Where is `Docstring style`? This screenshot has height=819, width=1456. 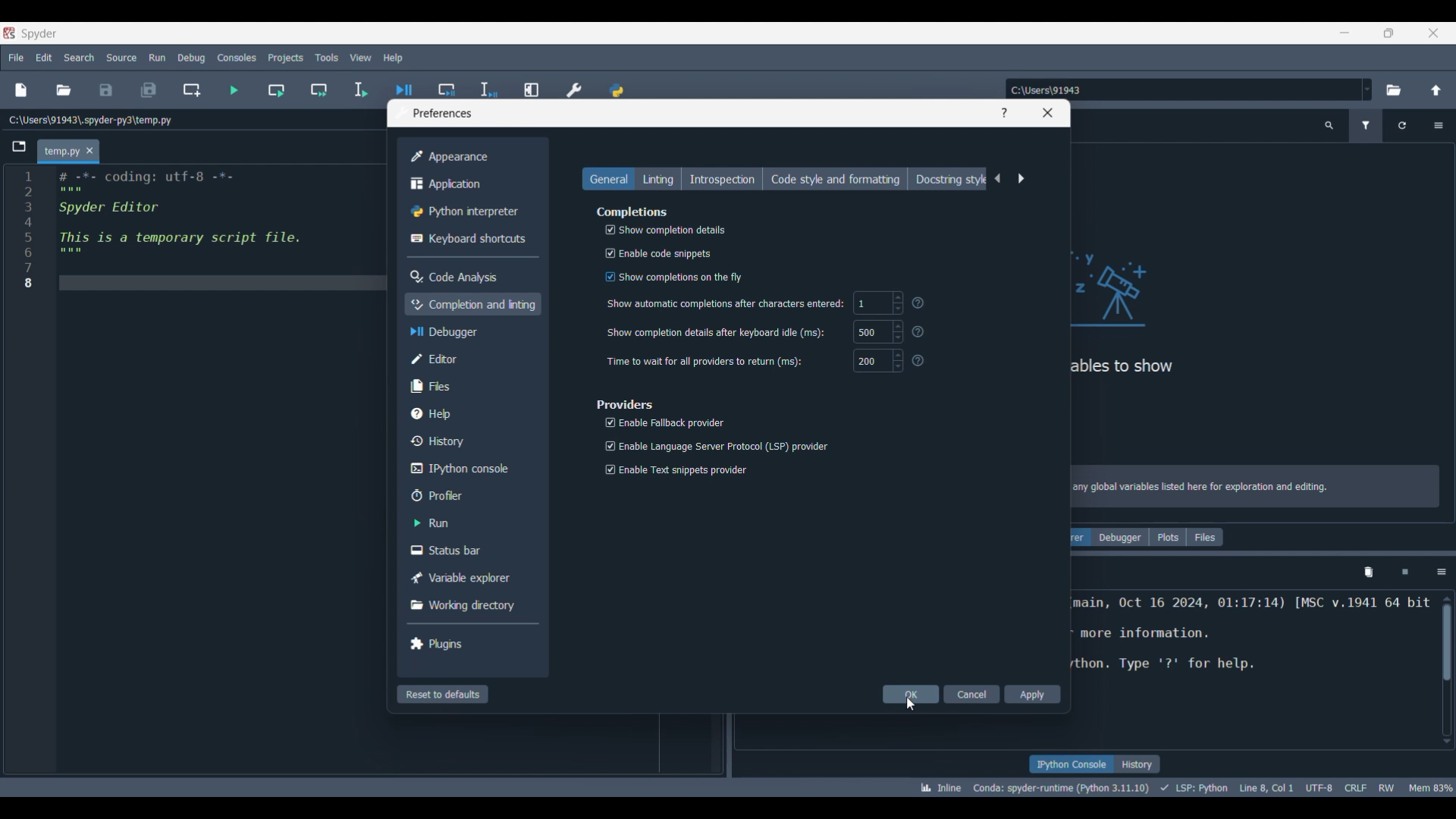 Docstring style is located at coordinates (948, 179).